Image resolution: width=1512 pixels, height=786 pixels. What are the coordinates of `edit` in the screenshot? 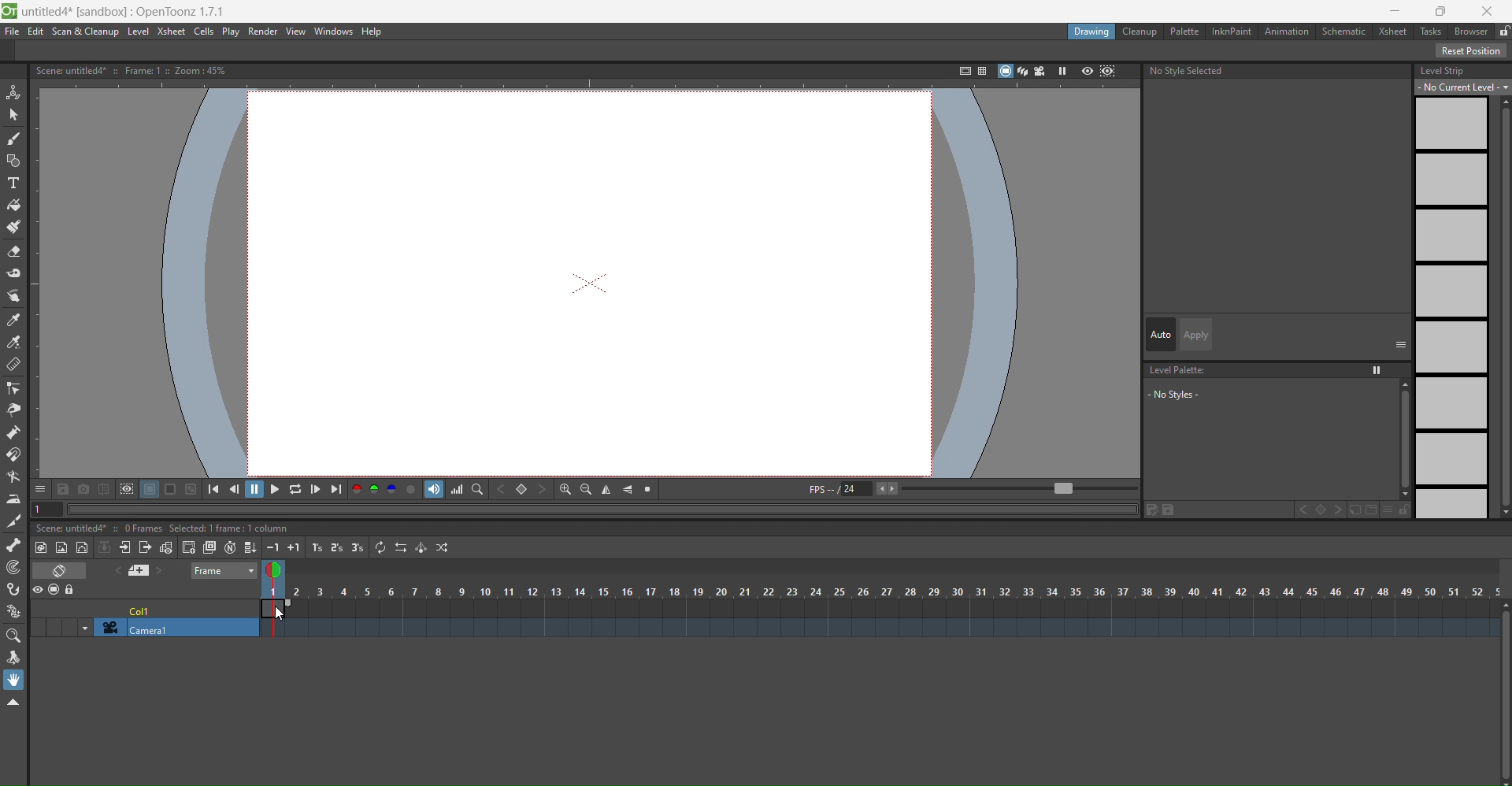 It's located at (1162, 510).